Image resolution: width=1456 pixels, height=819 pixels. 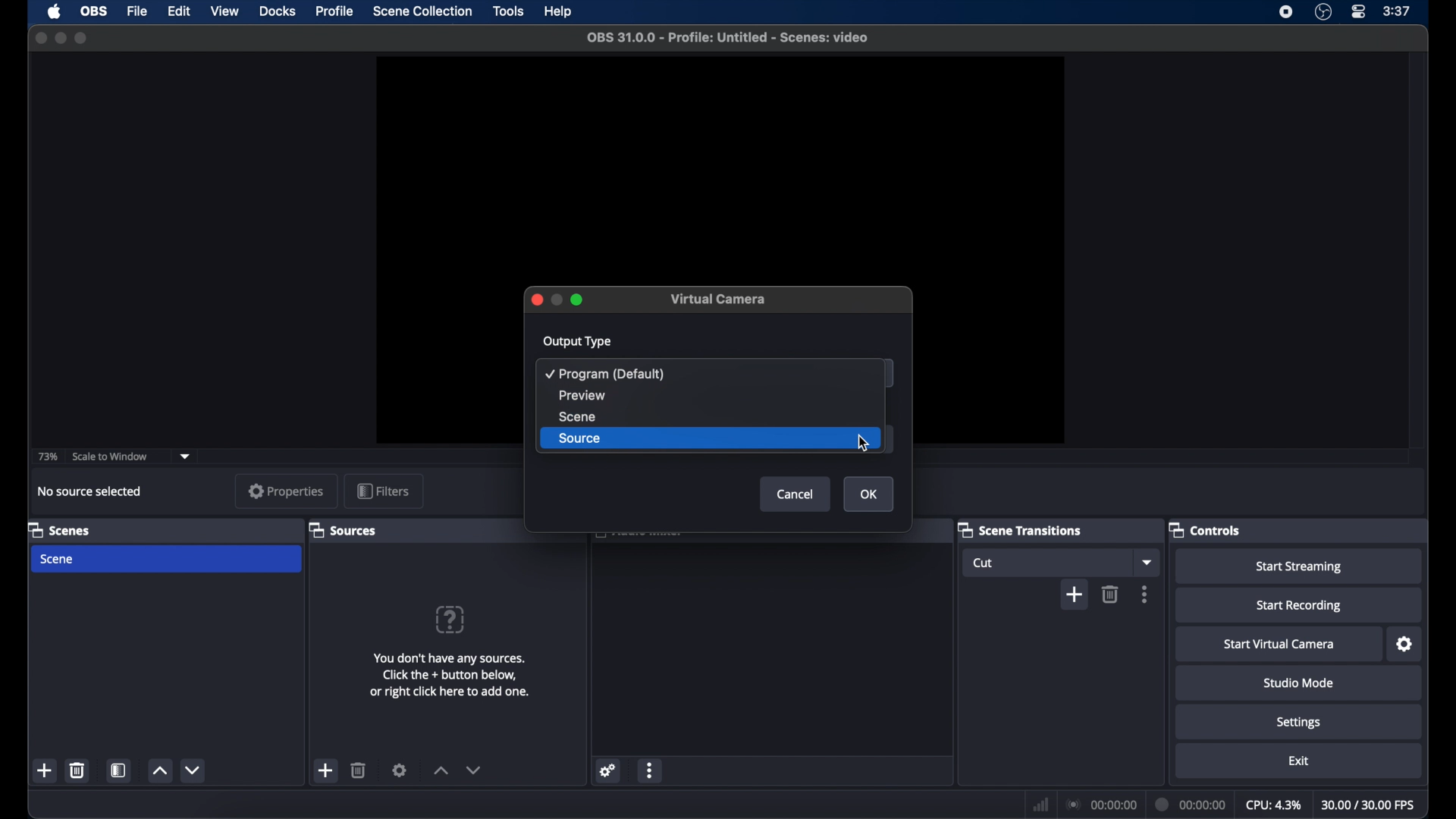 What do you see at coordinates (448, 679) in the screenshot?
I see `You don't have any sources.
Click the + button below,
or right click here to add one.` at bounding box center [448, 679].